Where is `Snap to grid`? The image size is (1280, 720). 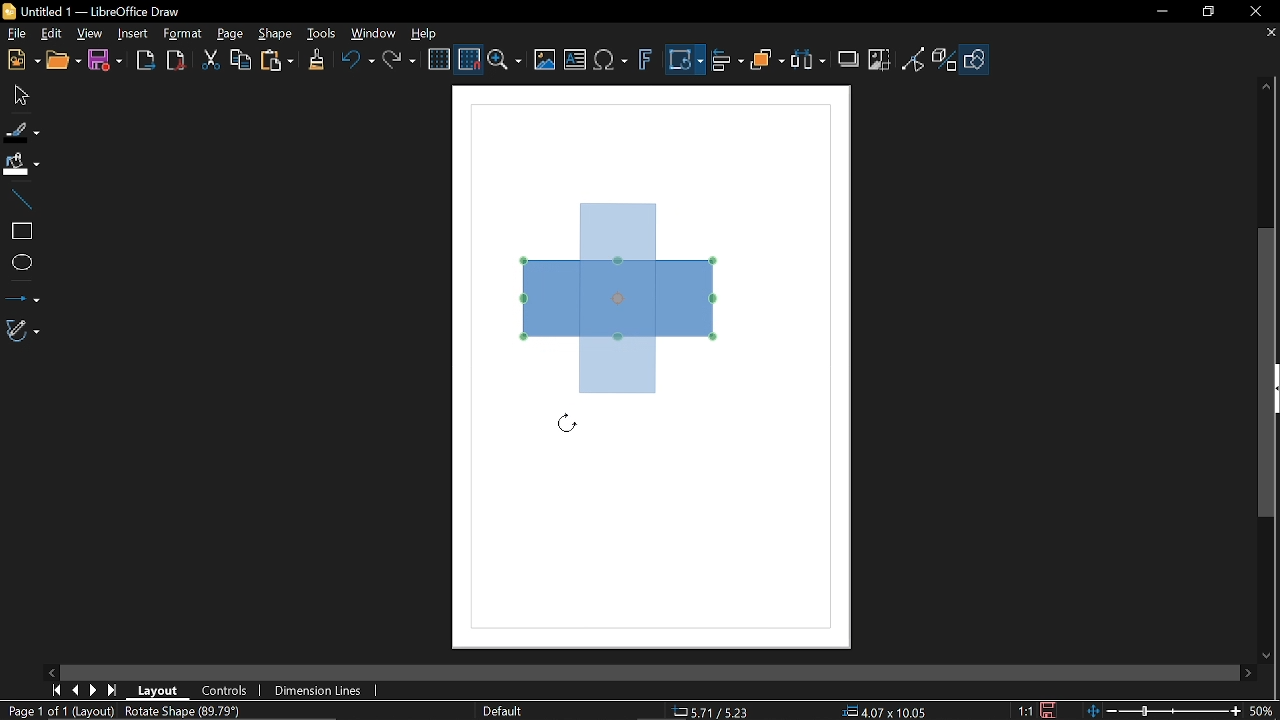
Snap to grid is located at coordinates (468, 60).